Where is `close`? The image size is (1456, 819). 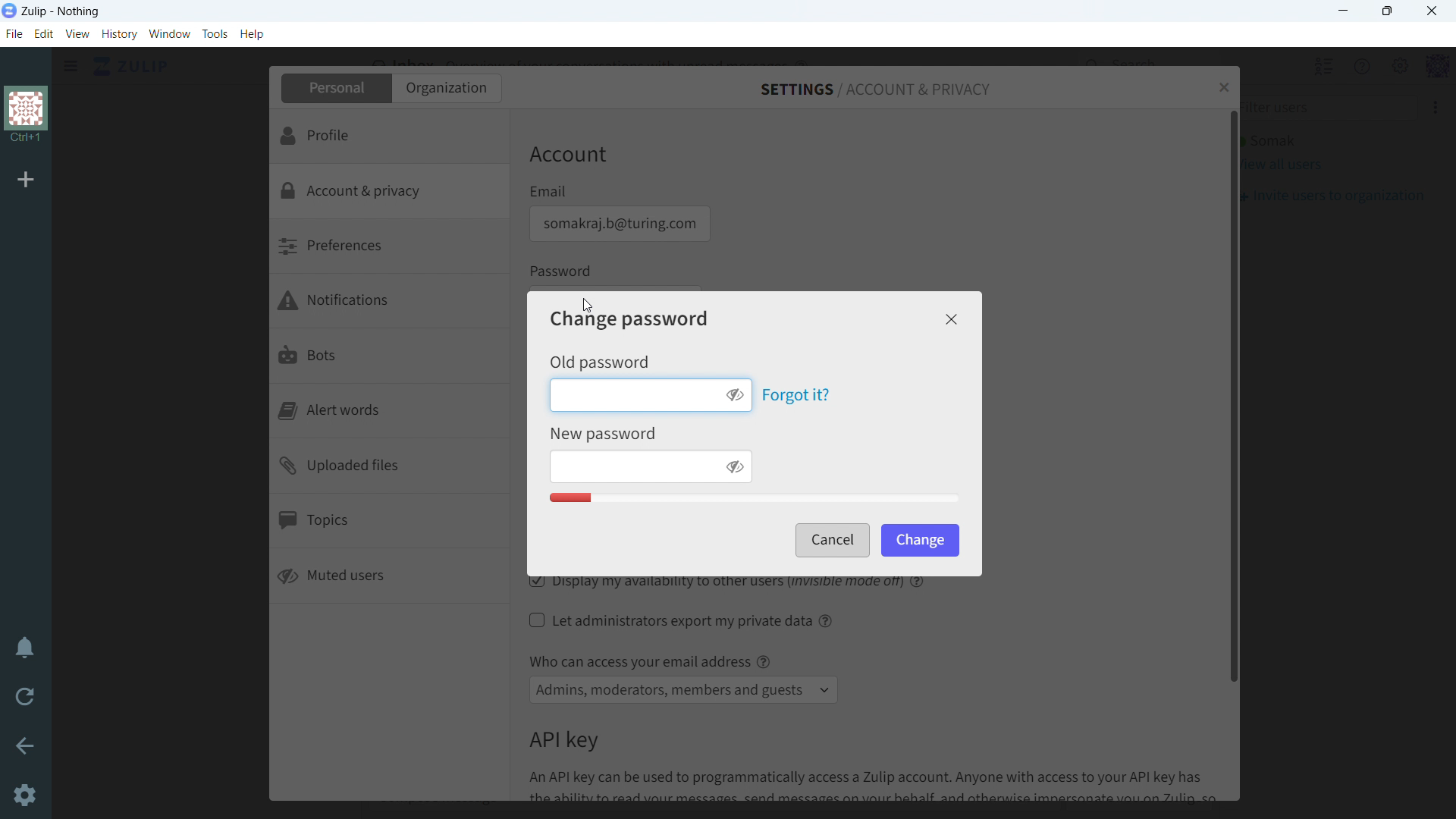 close is located at coordinates (952, 319).